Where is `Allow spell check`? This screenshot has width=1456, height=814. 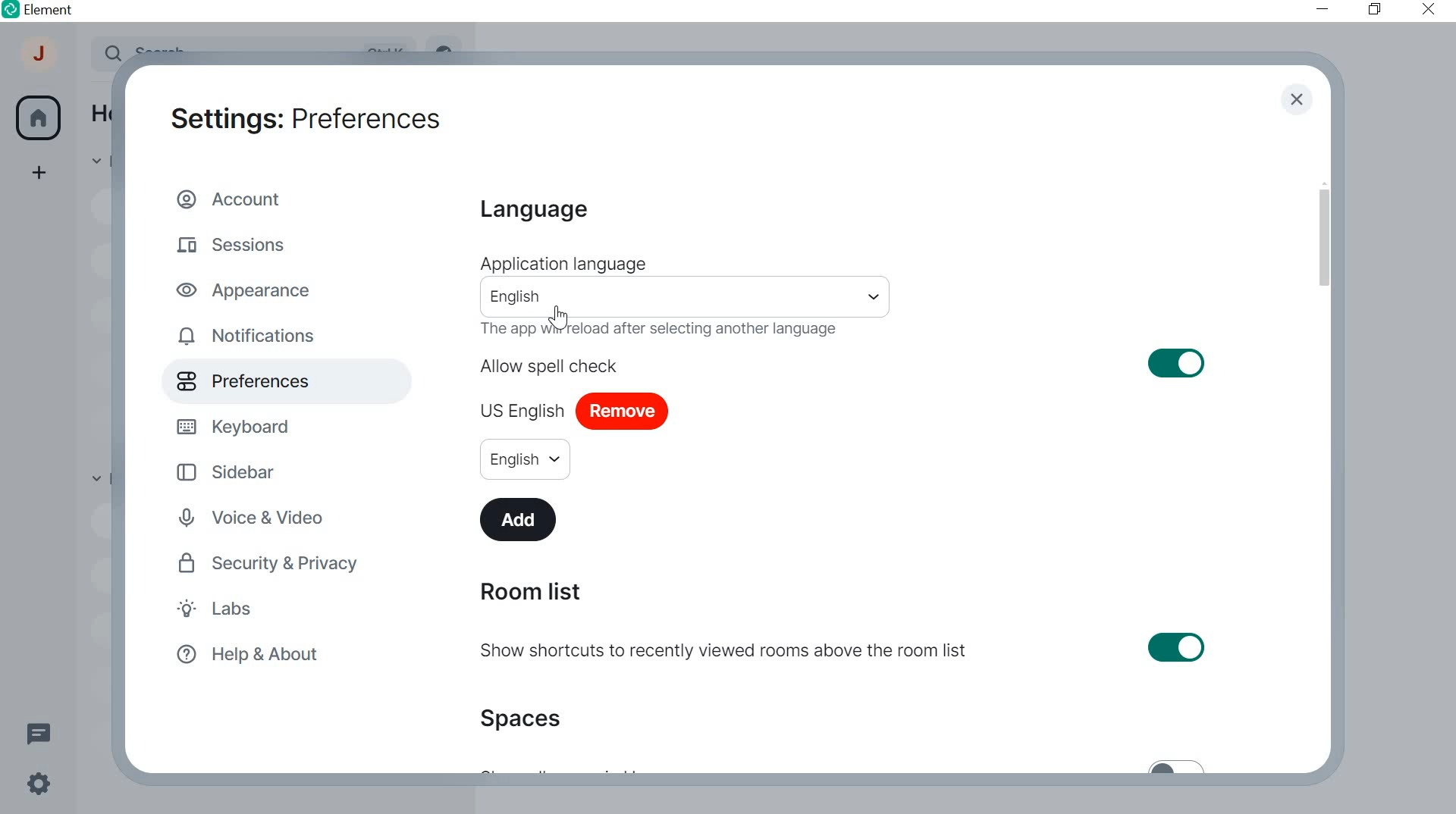 Allow spell check is located at coordinates (844, 363).